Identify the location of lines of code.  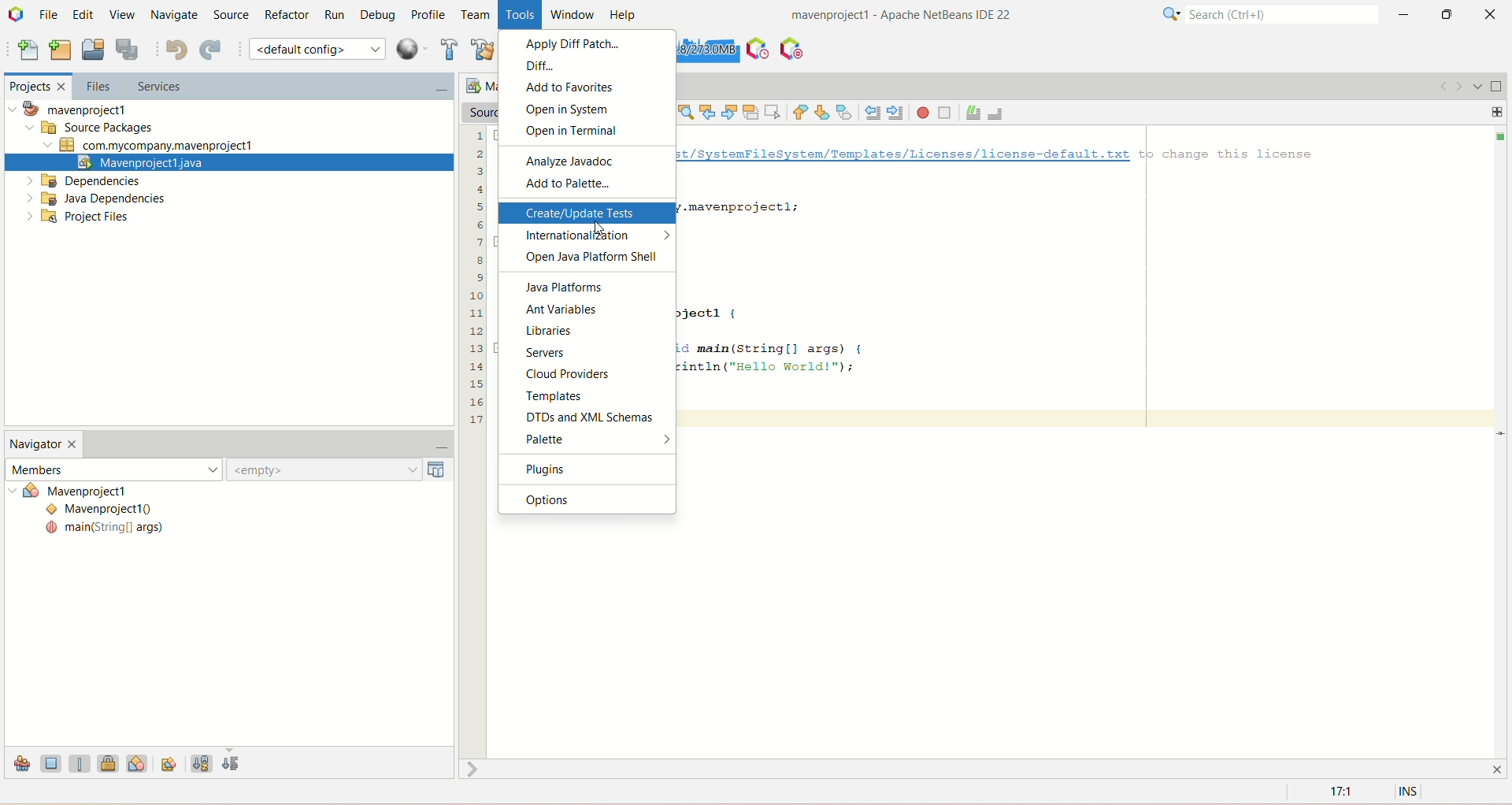
(476, 276).